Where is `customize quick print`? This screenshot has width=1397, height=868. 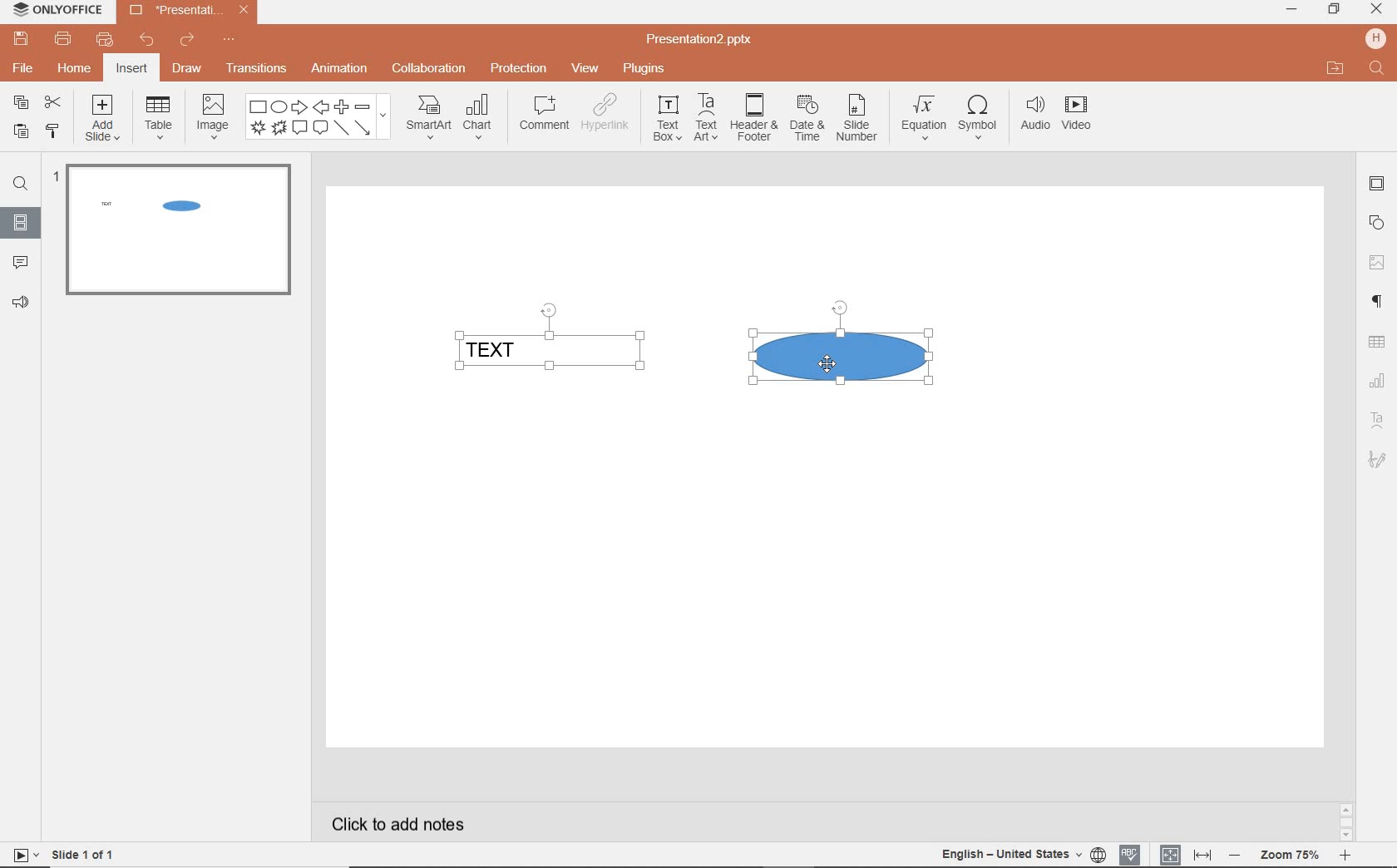
customize quick print is located at coordinates (102, 40).